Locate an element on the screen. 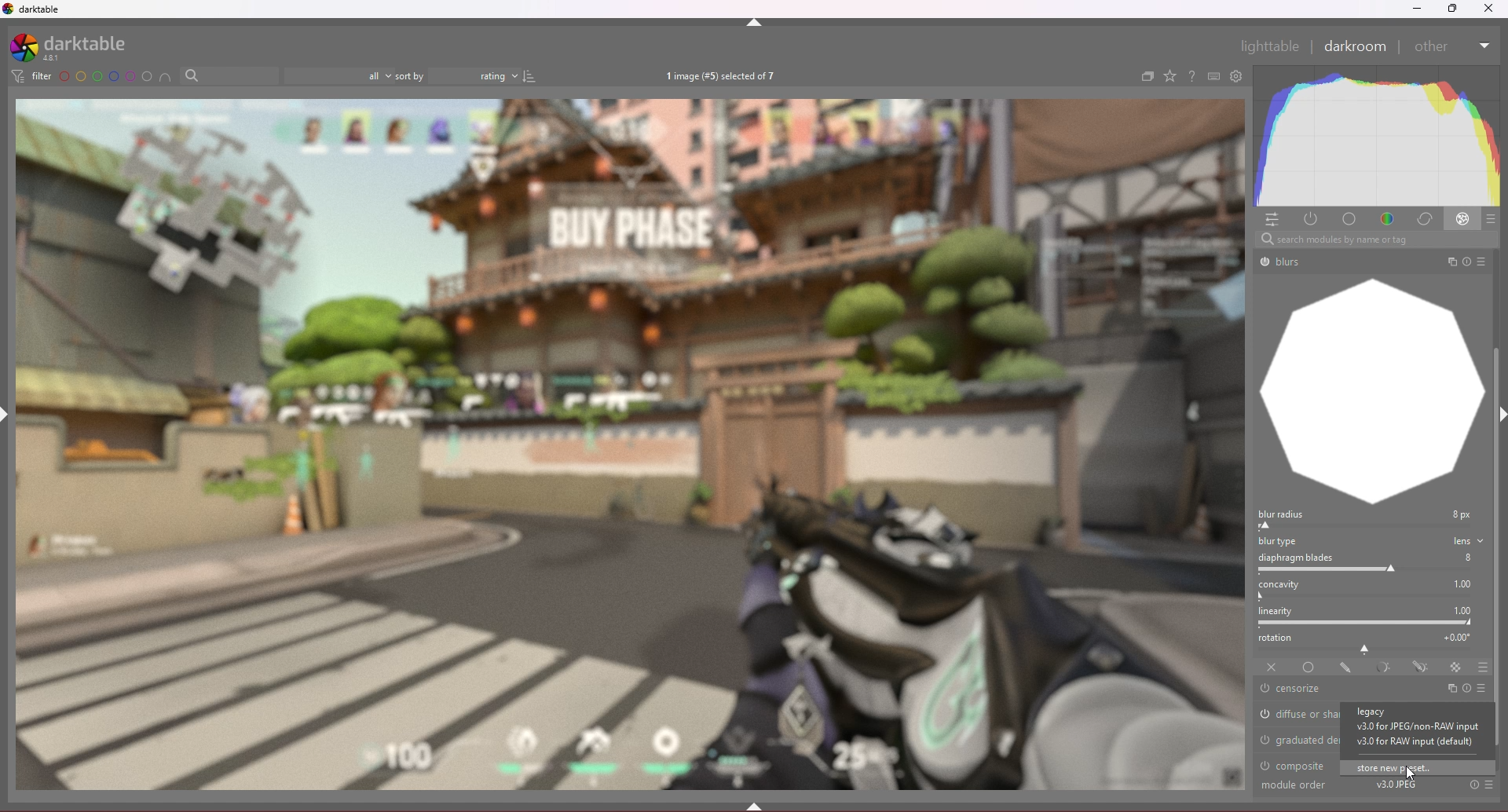 This screenshot has width=1508, height=812. graph is located at coordinates (1371, 392).